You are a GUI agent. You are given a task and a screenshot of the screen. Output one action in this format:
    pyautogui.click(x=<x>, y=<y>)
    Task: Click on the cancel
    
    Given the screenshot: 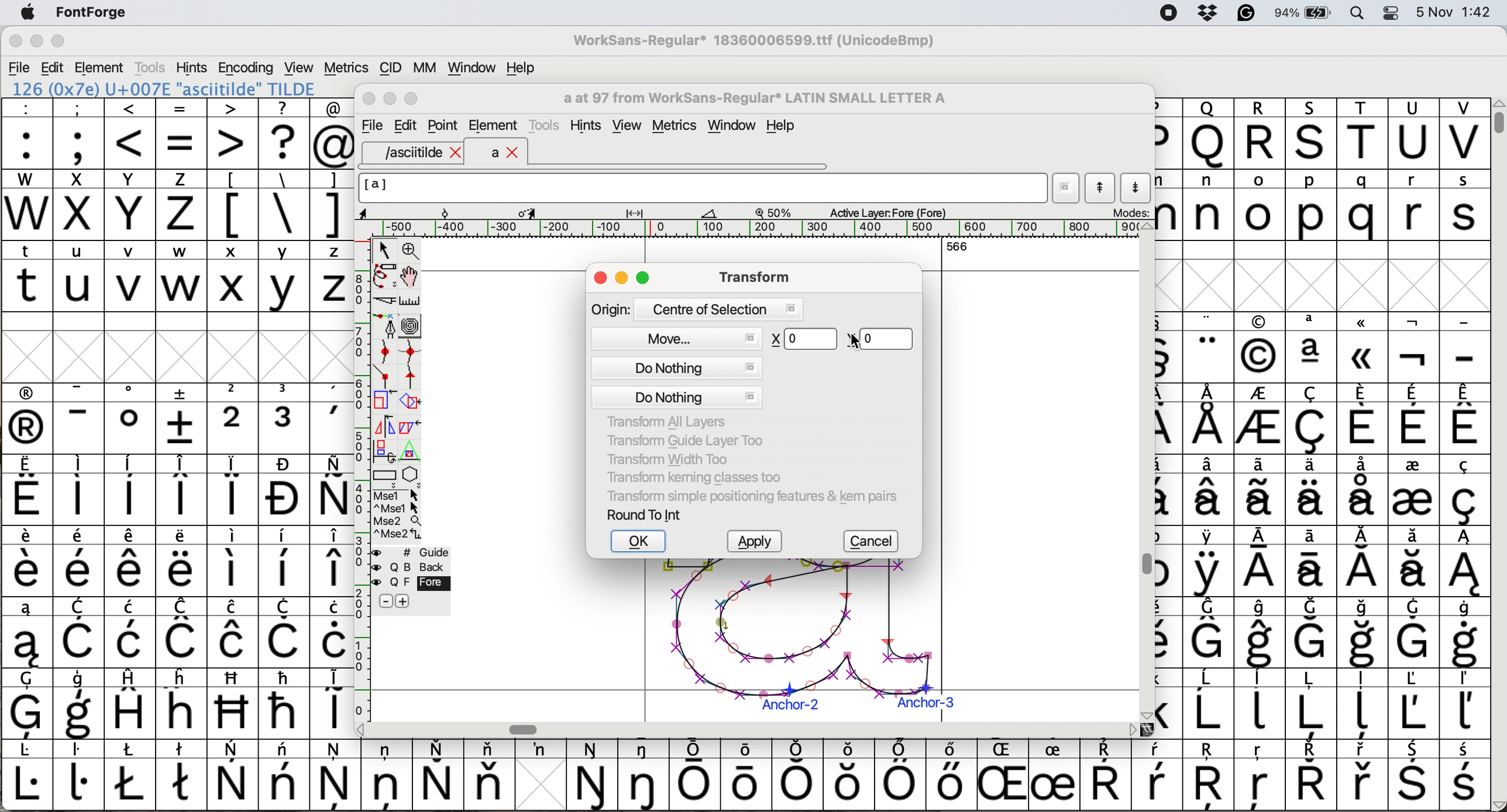 What is the action you would take?
    pyautogui.click(x=875, y=542)
    